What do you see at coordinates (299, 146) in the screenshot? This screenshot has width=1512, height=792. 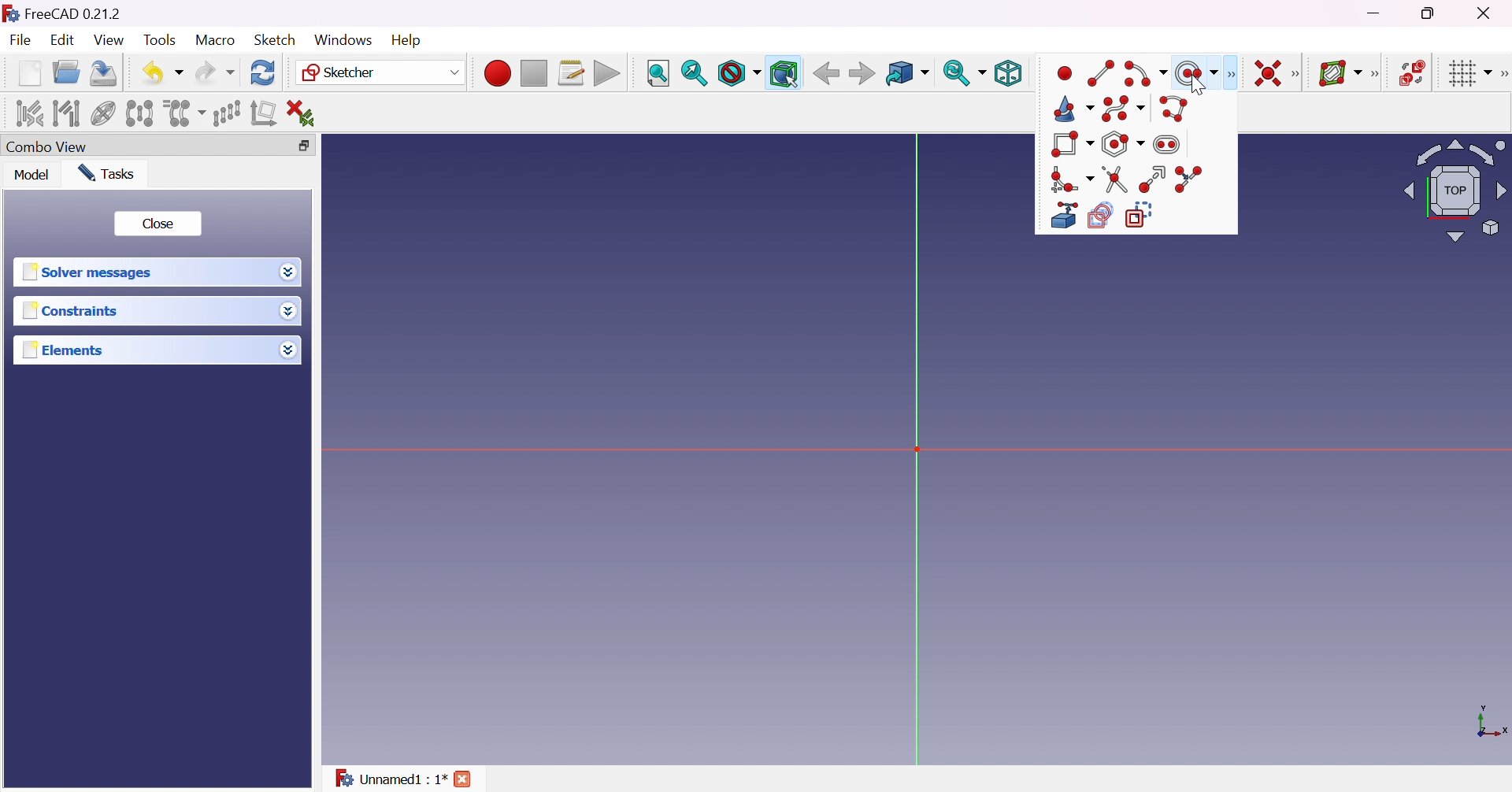 I see `Restore down` at bounding box center [299, 146].